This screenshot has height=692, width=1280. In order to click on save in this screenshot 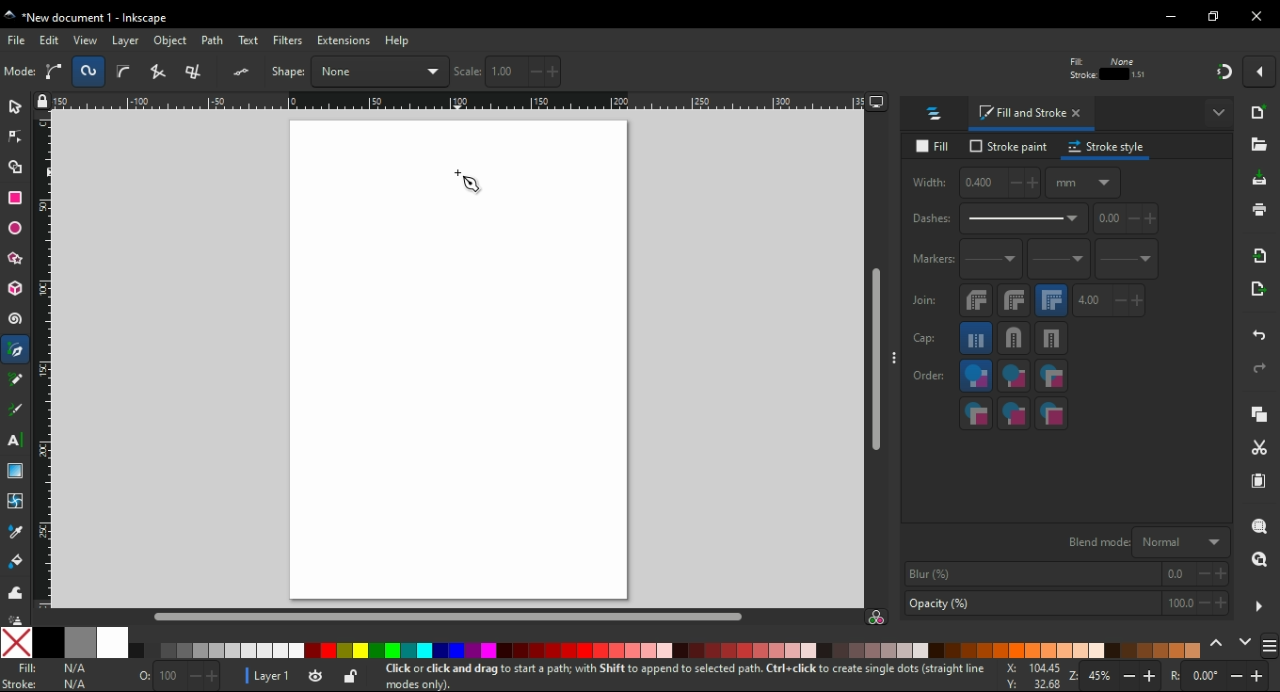, I will do `click(1260, 179)`.